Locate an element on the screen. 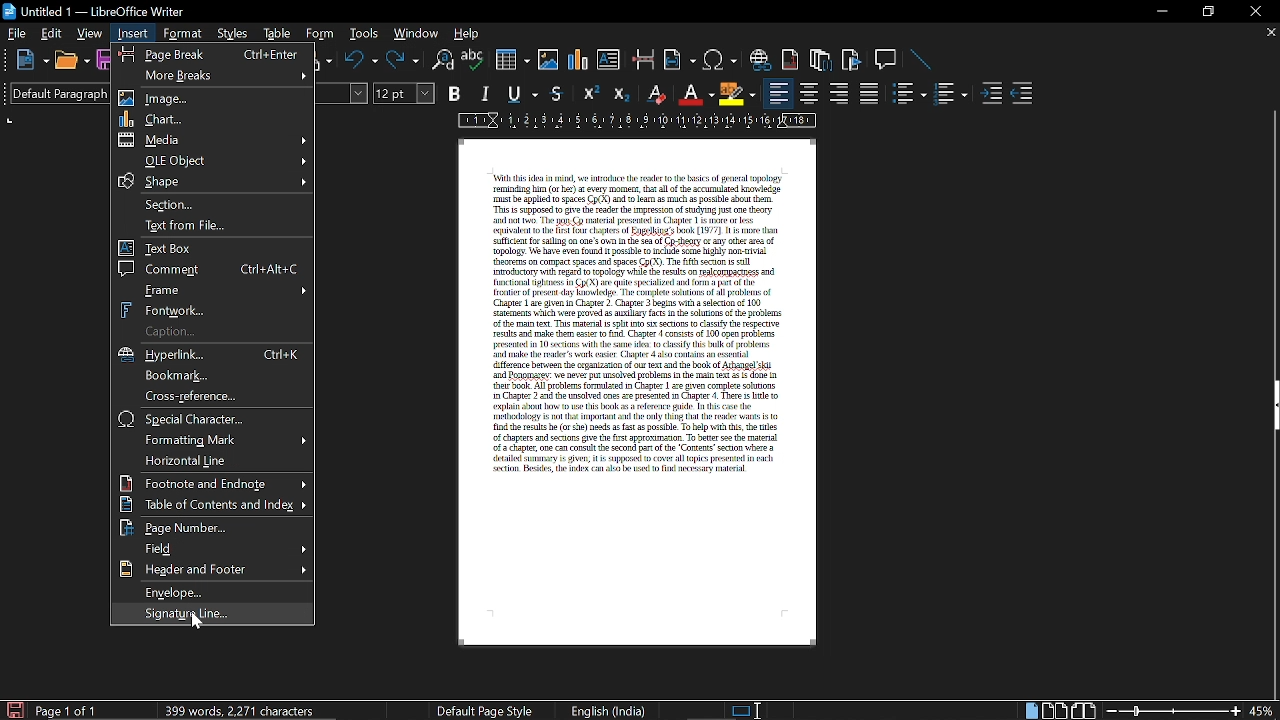  bookmark is located at coordinates (215, 376).